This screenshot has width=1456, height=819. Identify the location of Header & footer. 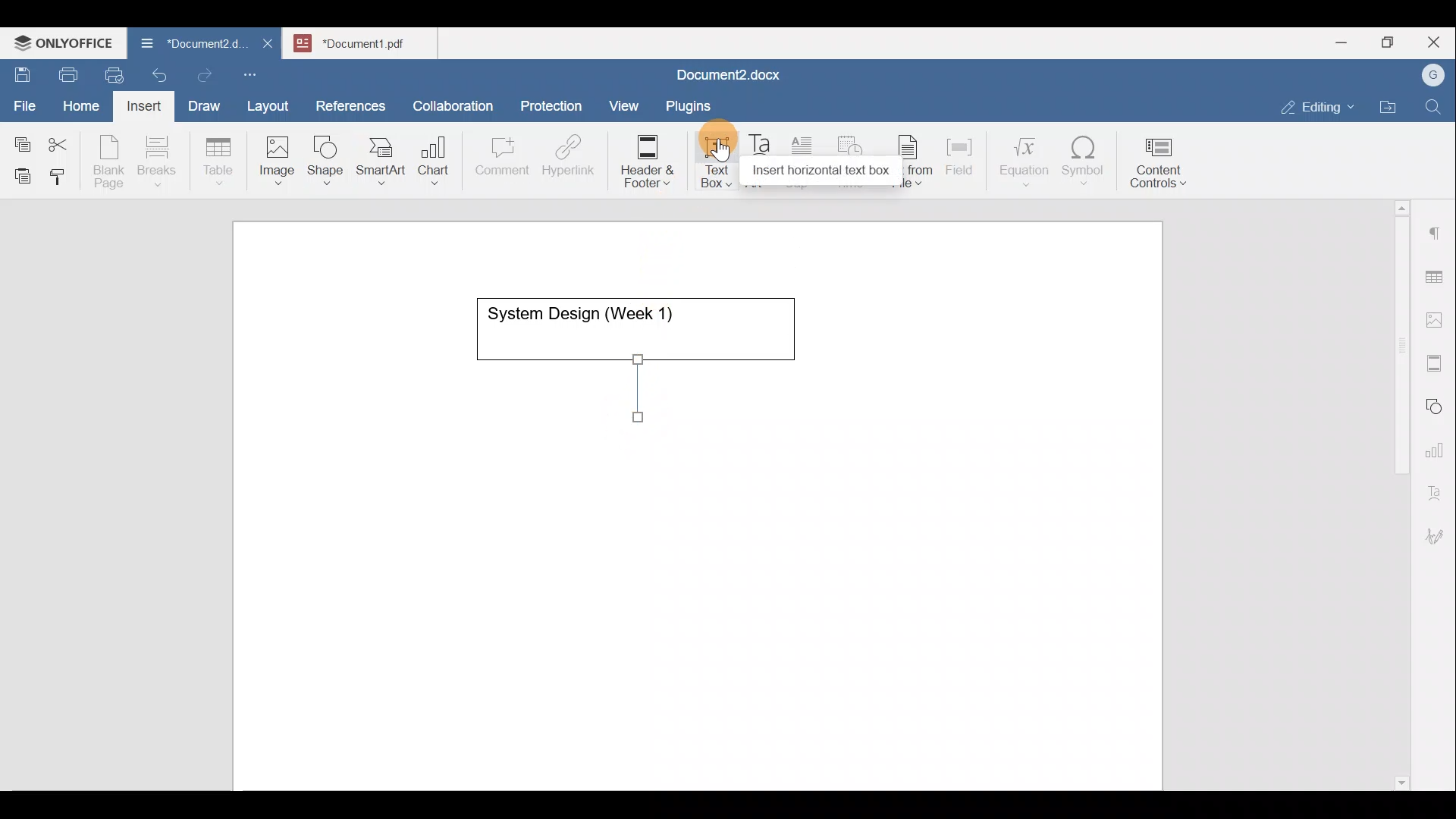
(642, 160).